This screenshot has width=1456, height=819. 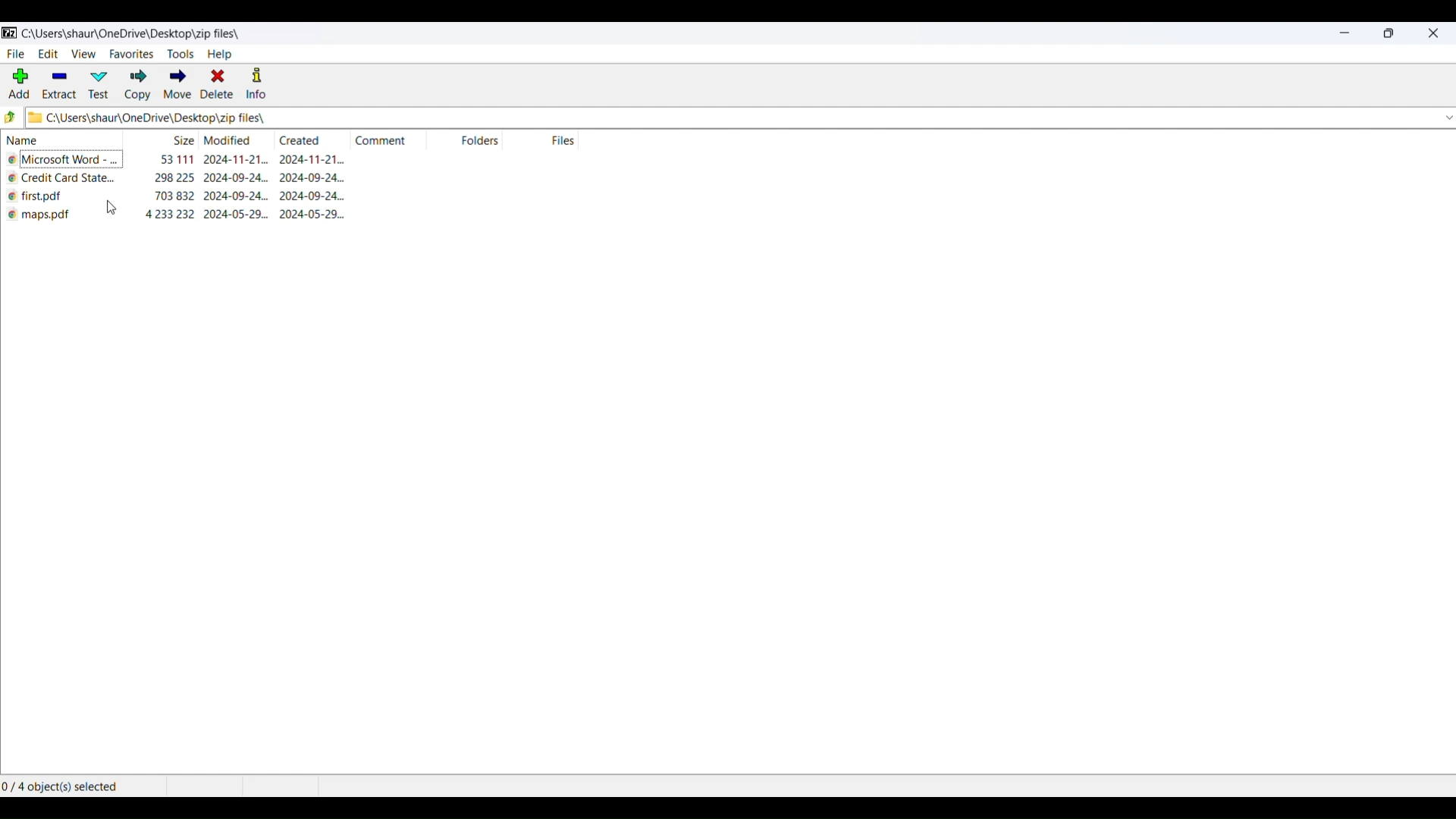 What do you see at coordinates (1345, 33) in the screenshot?
I see `minimize` at bounding box center [1345, 33].